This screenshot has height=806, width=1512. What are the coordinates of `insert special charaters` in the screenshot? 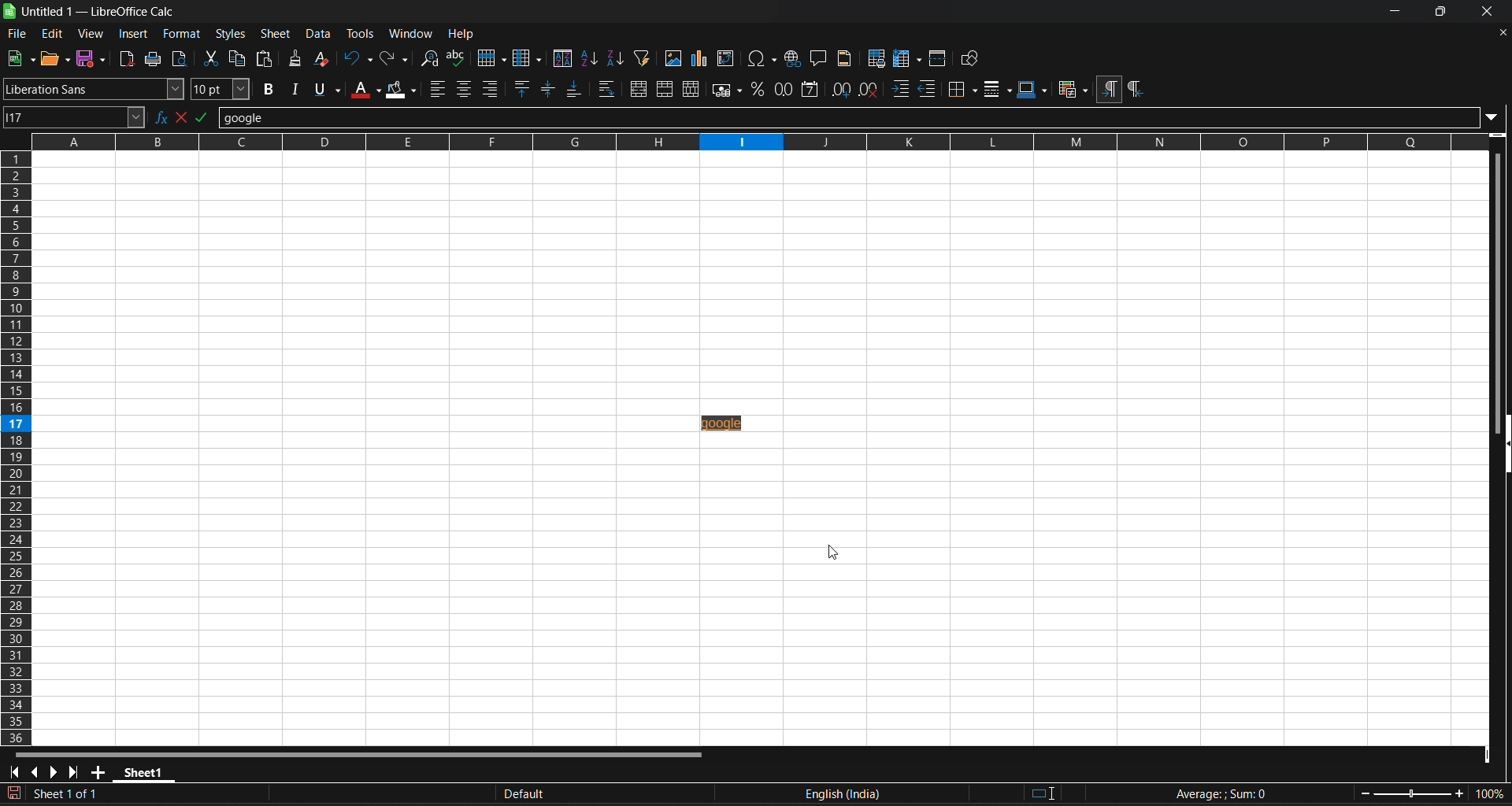 It's located at (760, 58).